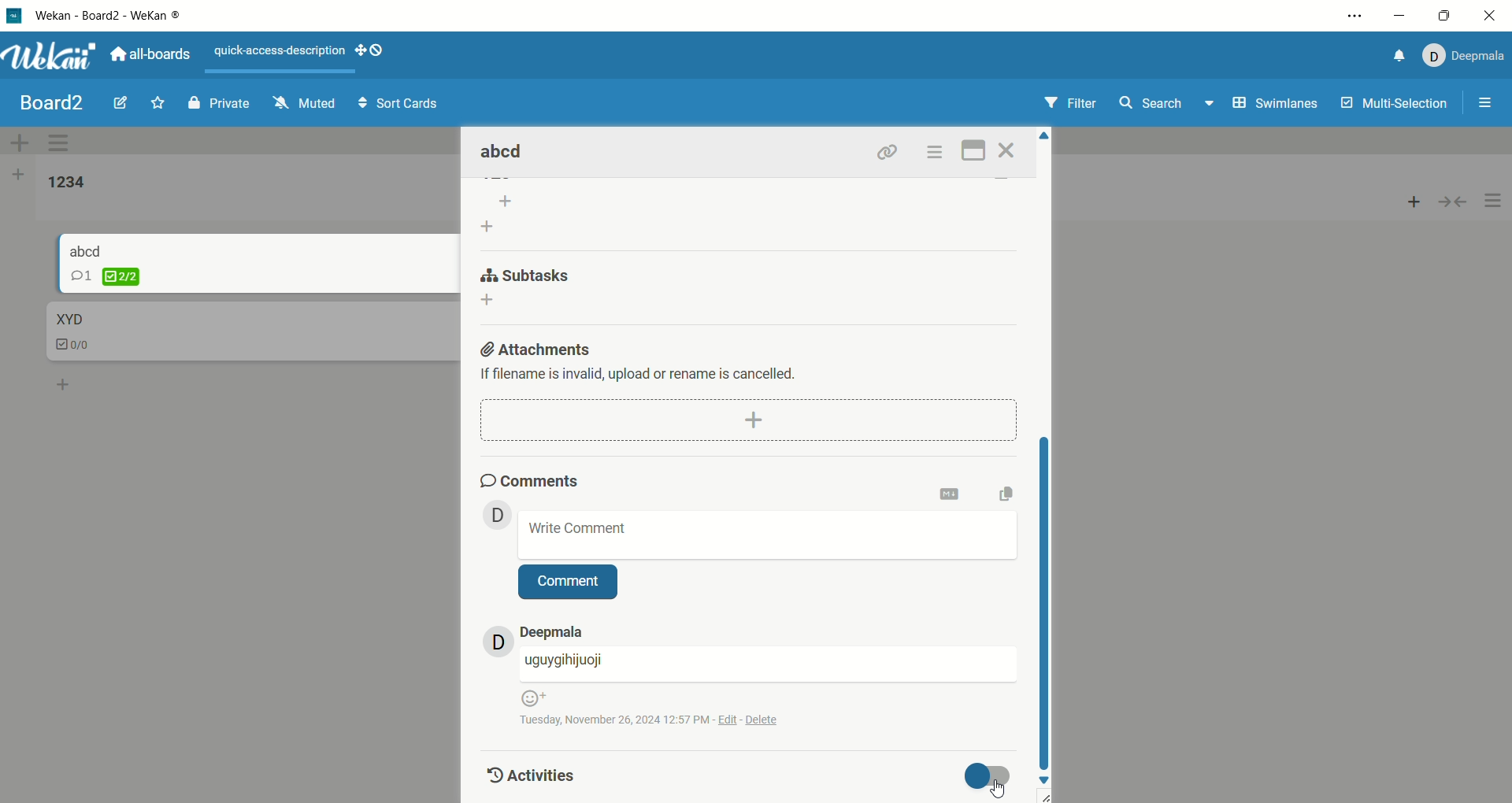  I want to click on multi-selection, so click(1396, 104).